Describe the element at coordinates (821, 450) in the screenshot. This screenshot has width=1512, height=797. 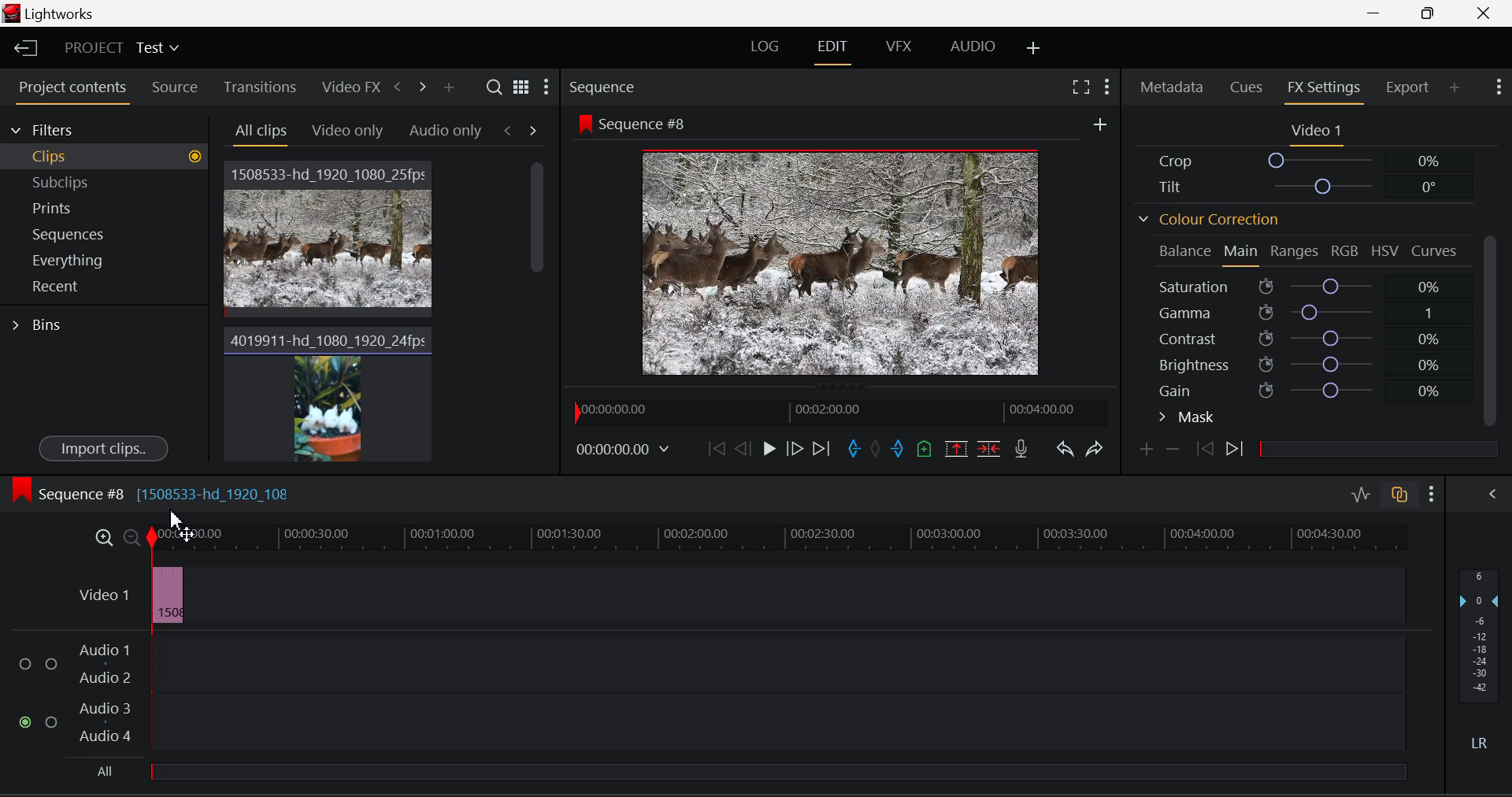
I see `To End` at that location.